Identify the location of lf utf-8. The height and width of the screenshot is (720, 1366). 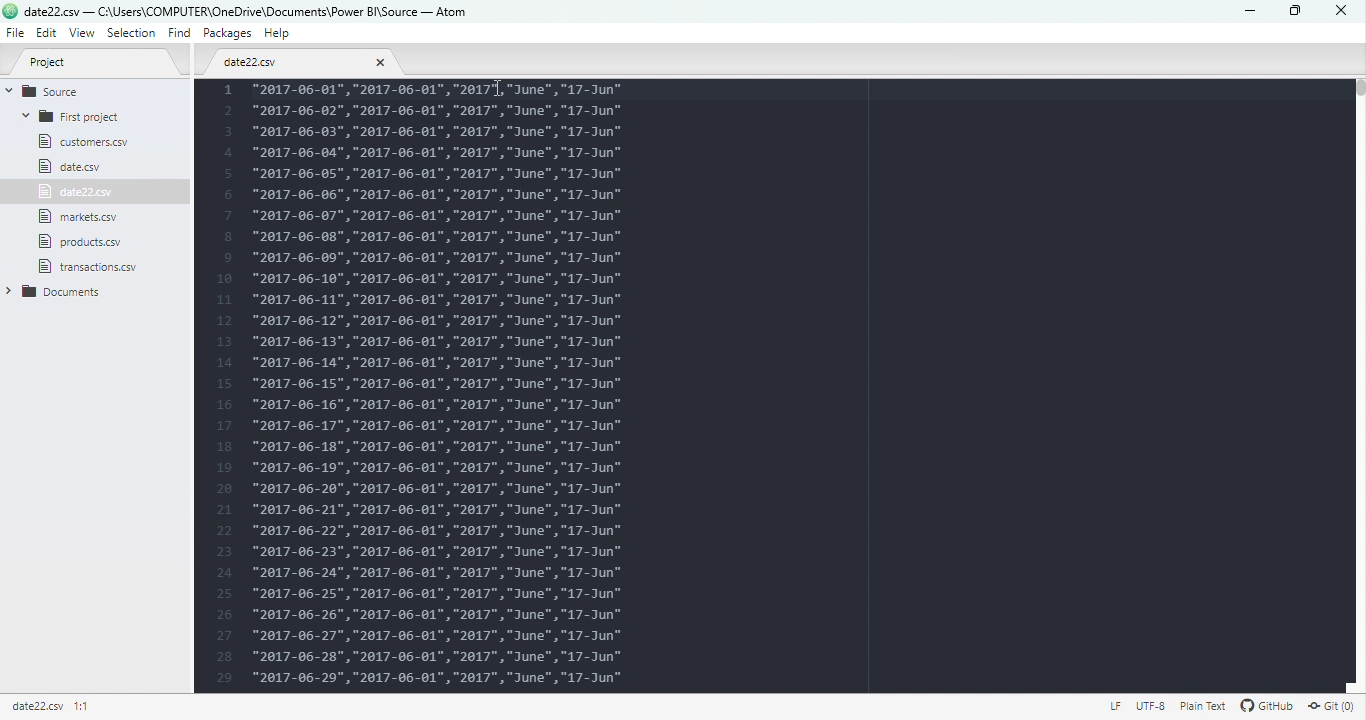
(1133, 706).